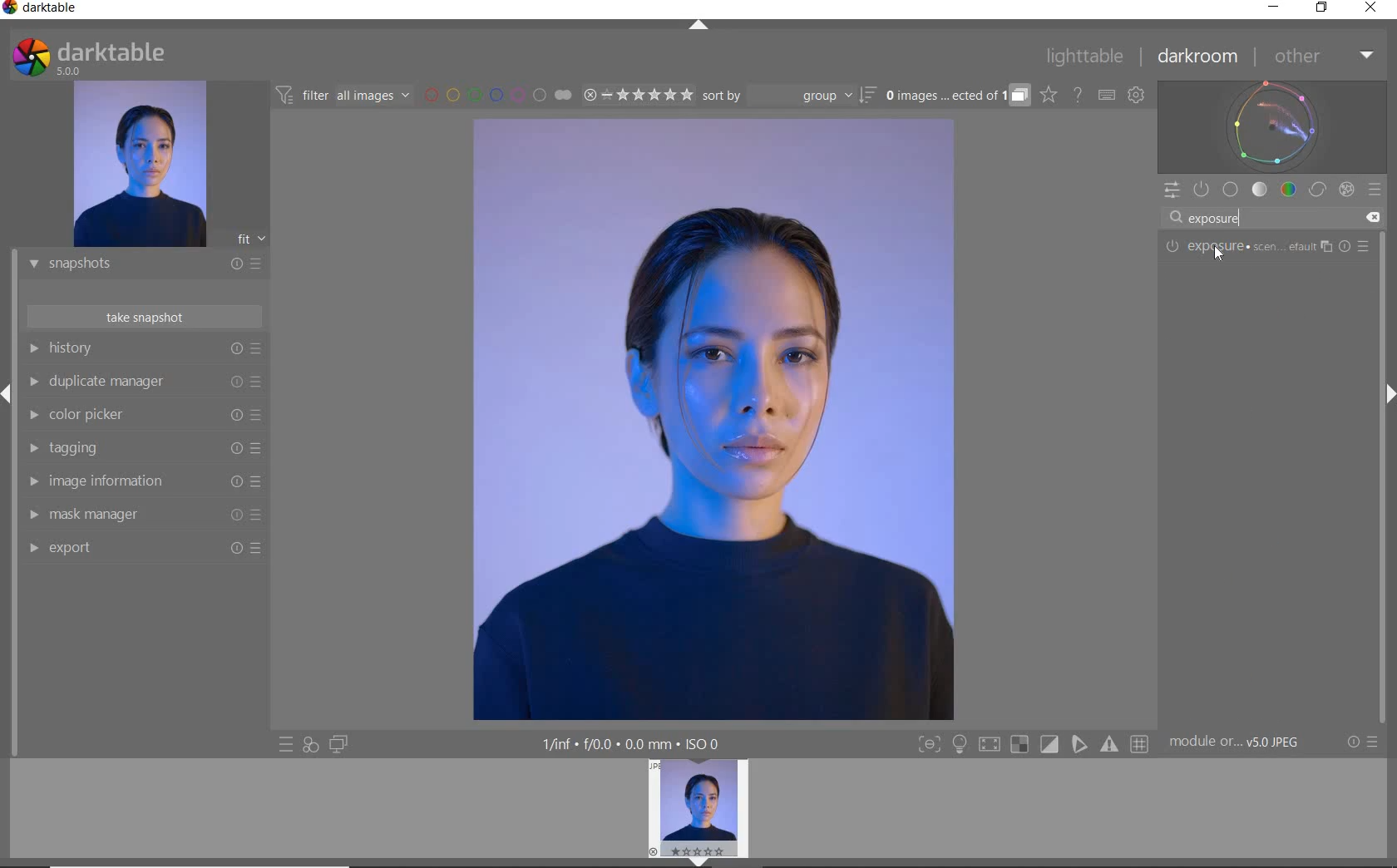 The height and width of the screenshot is (868, 1397). Describe the element at coordinates (1272, 126) in the screenshot. I see `WAVEFORM` at that location.